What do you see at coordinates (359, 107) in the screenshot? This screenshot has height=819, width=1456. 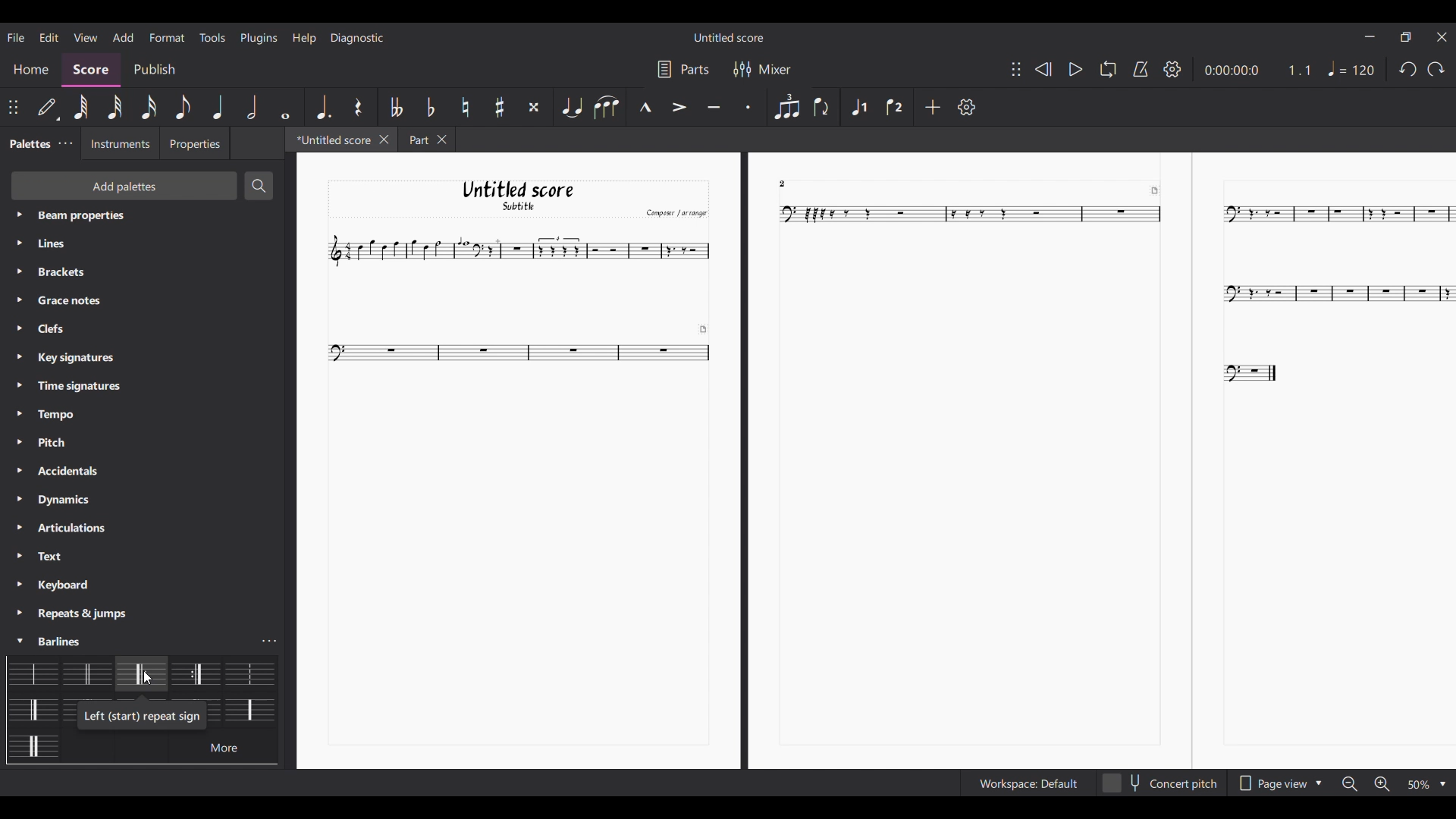 I see `Rest` at bounding box center [359, 107].